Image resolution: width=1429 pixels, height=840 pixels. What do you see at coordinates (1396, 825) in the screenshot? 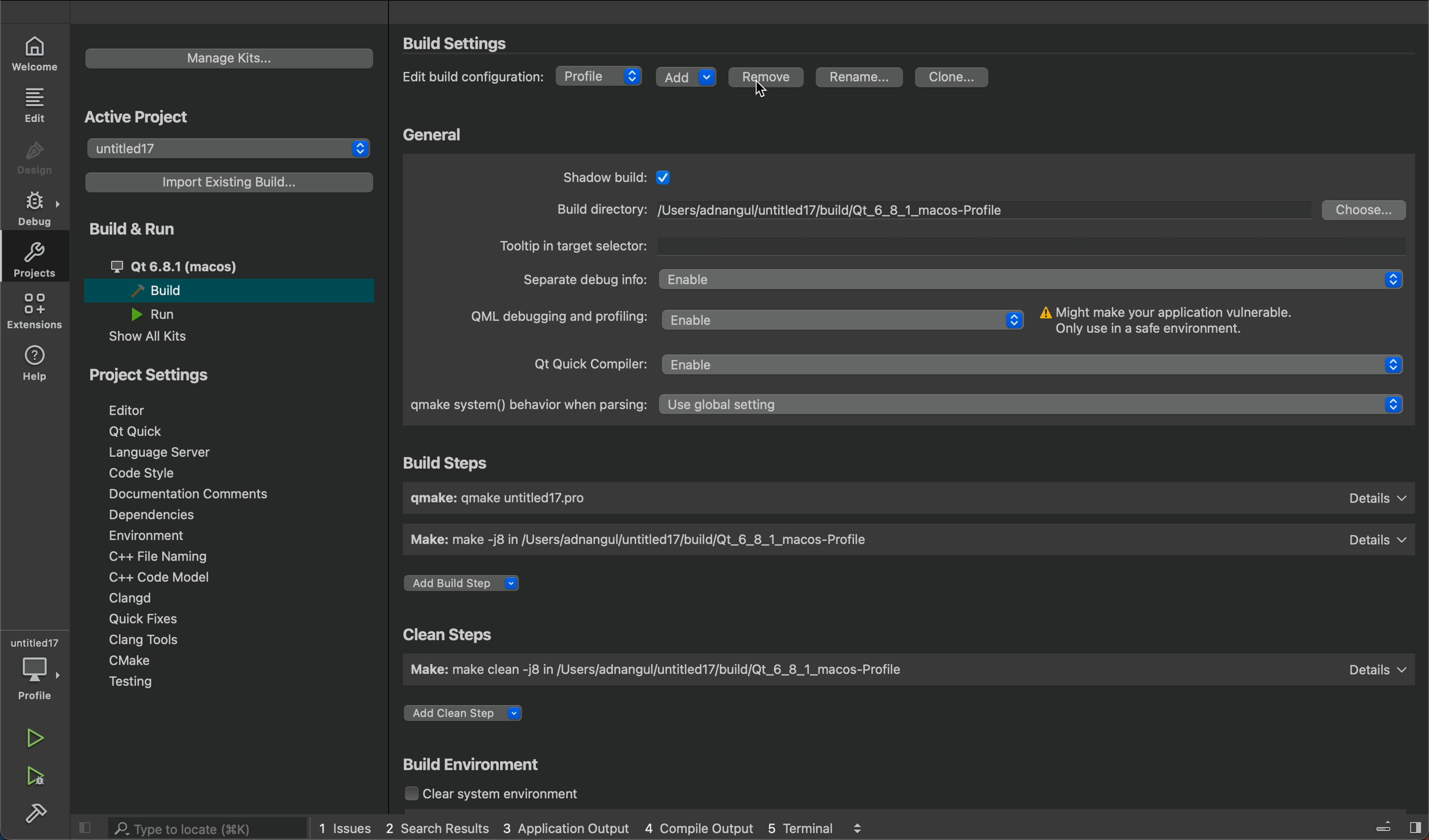
I see `toggle sidebar` at bounding box center [1396, 825].